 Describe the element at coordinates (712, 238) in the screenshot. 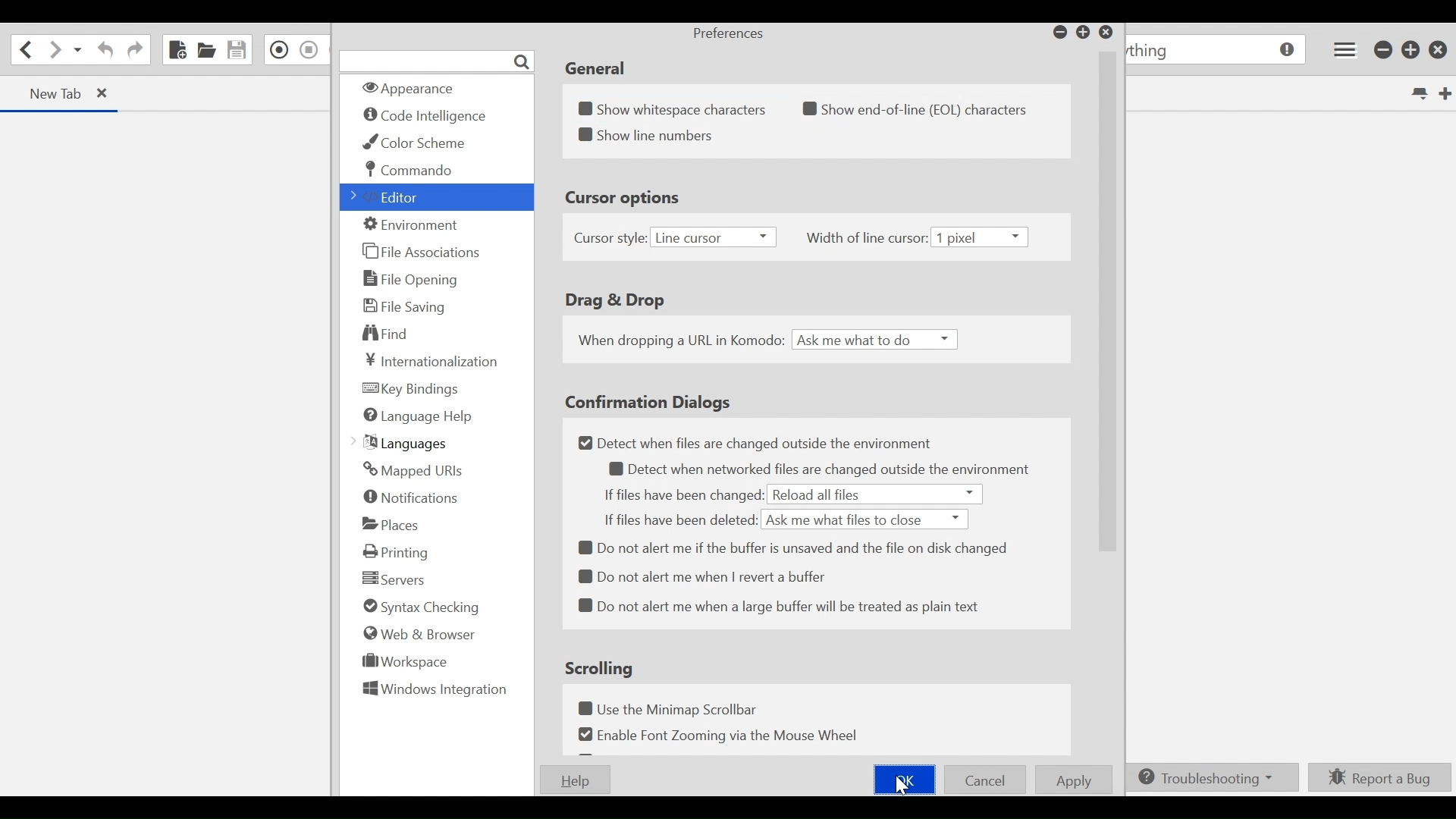

I see `Line cursor ` at that location.